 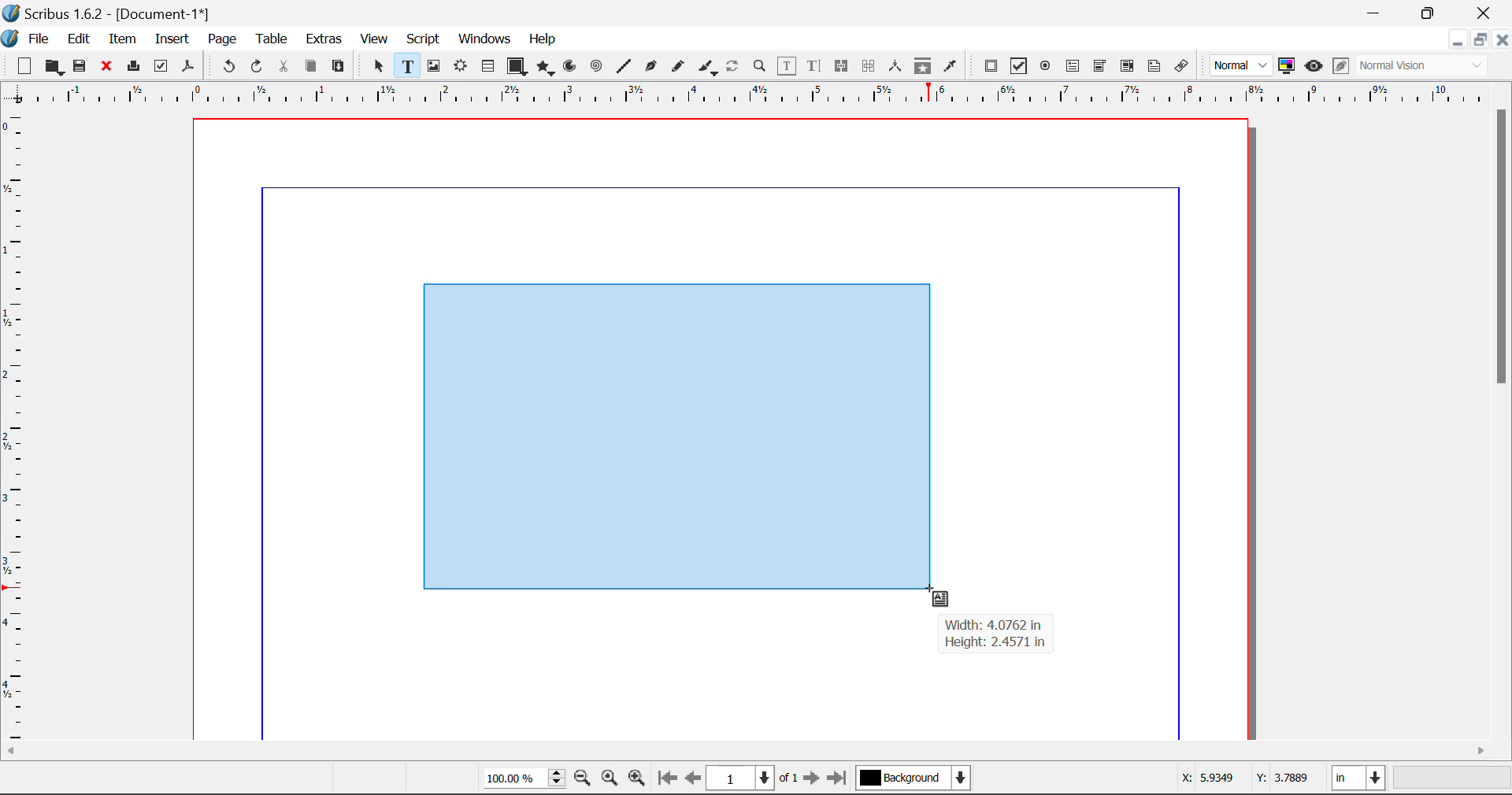 What do you see at coordinates (761, 65) in the screenshot?
I see `Zoom` at bounding box center [761, 65].